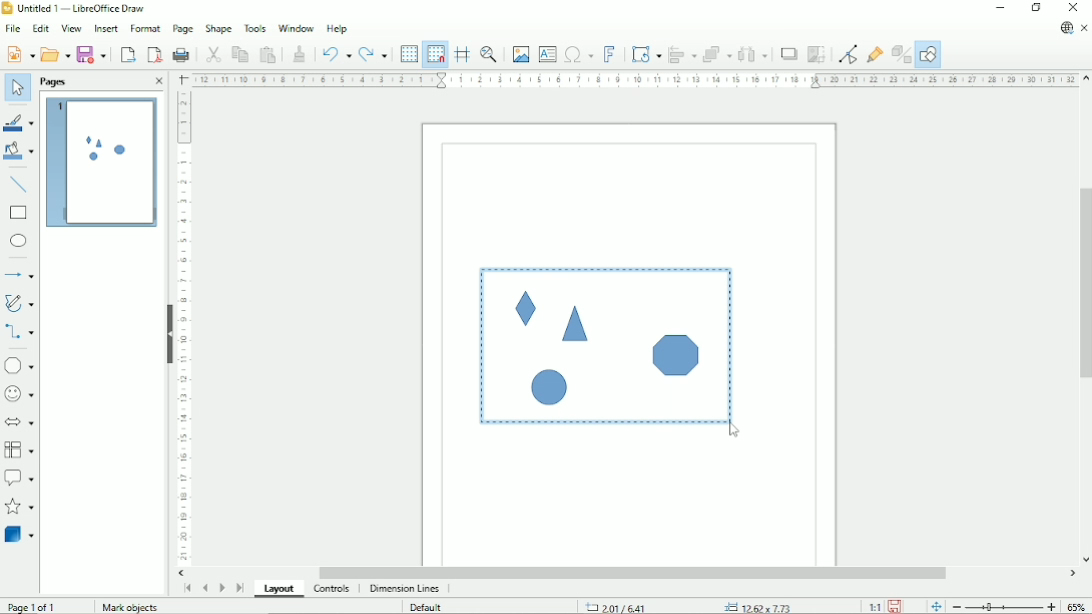  What do you see at coordinates (1073, 573) in the screenshot?
I see `Horizontal scroll button` at bounding box center [1073, 573].